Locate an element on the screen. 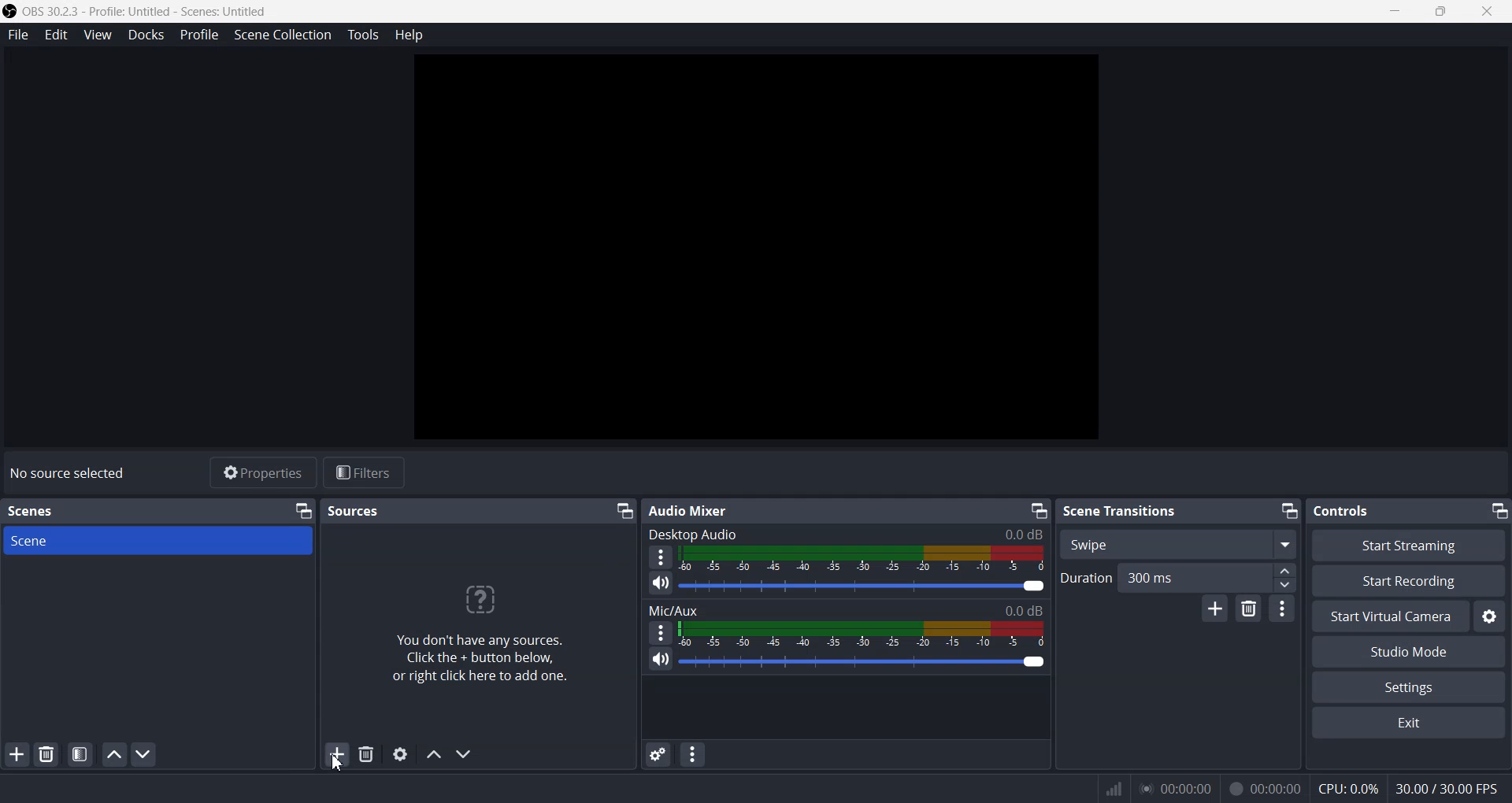 This screenshot has height=803, width=1512. Duration is located at coordinates (1178, 578).